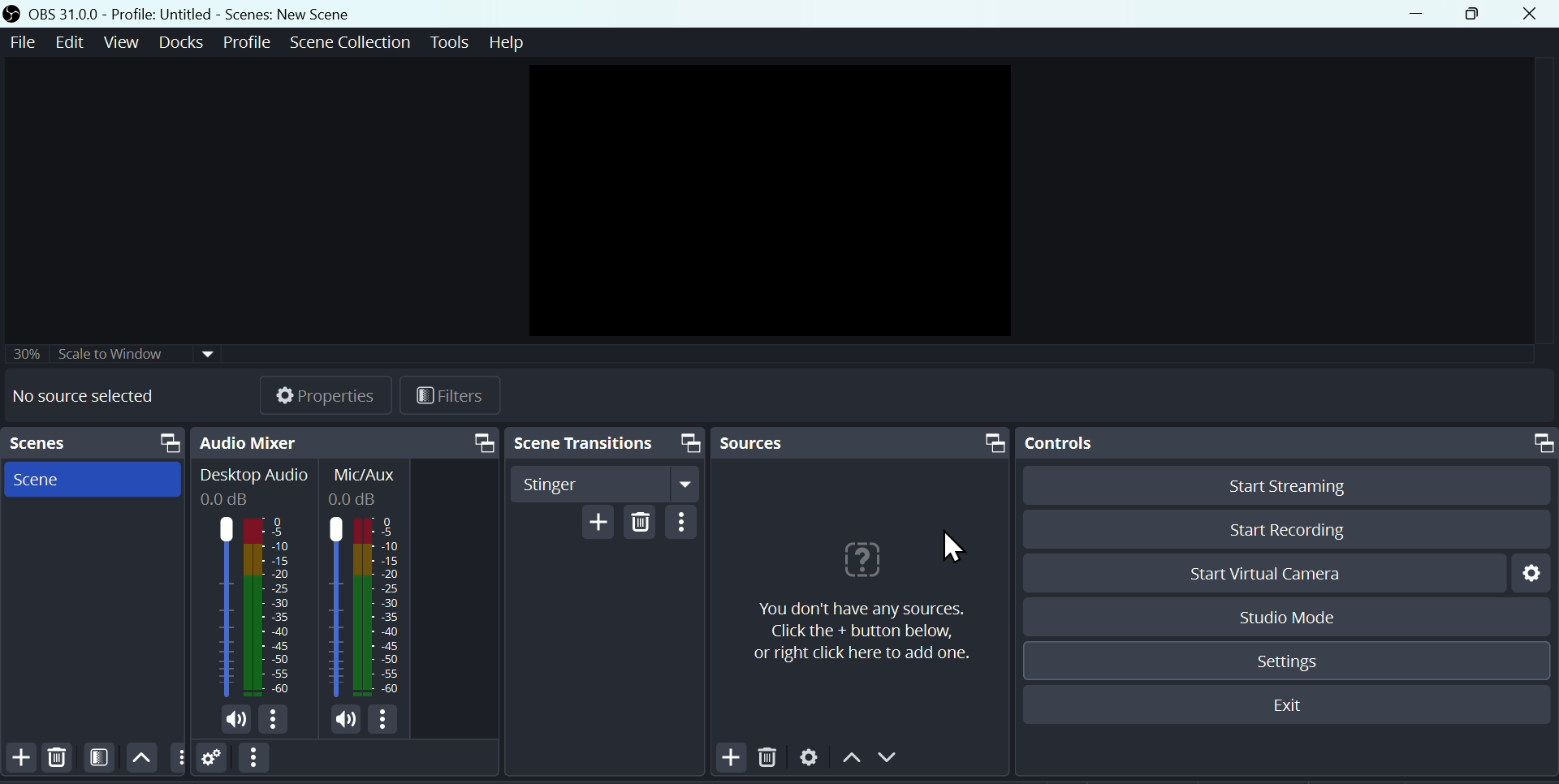 The width and height of the screenshot is (1559, 784). I want to click on Start Streaming, so click(1290, 489).